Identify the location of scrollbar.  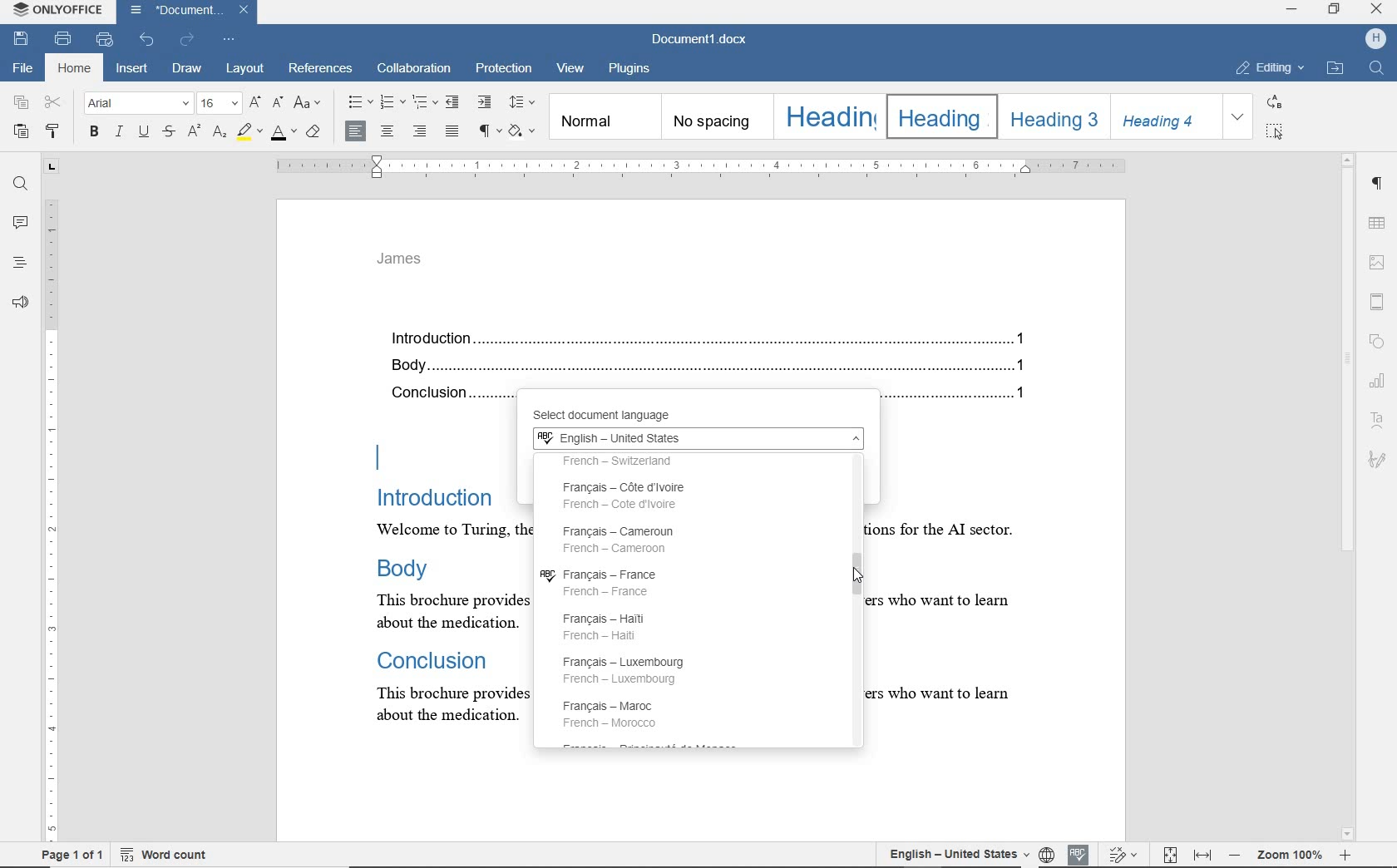
(1348, 496).